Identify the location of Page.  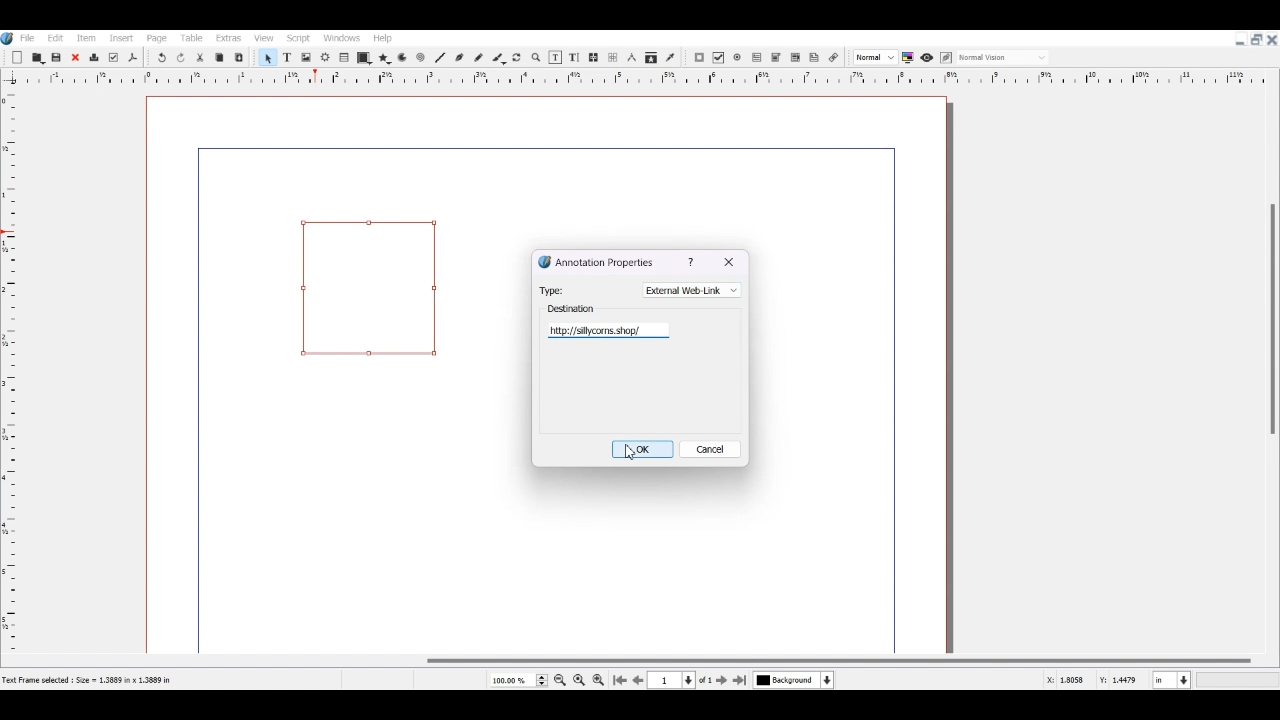
(157, 38).